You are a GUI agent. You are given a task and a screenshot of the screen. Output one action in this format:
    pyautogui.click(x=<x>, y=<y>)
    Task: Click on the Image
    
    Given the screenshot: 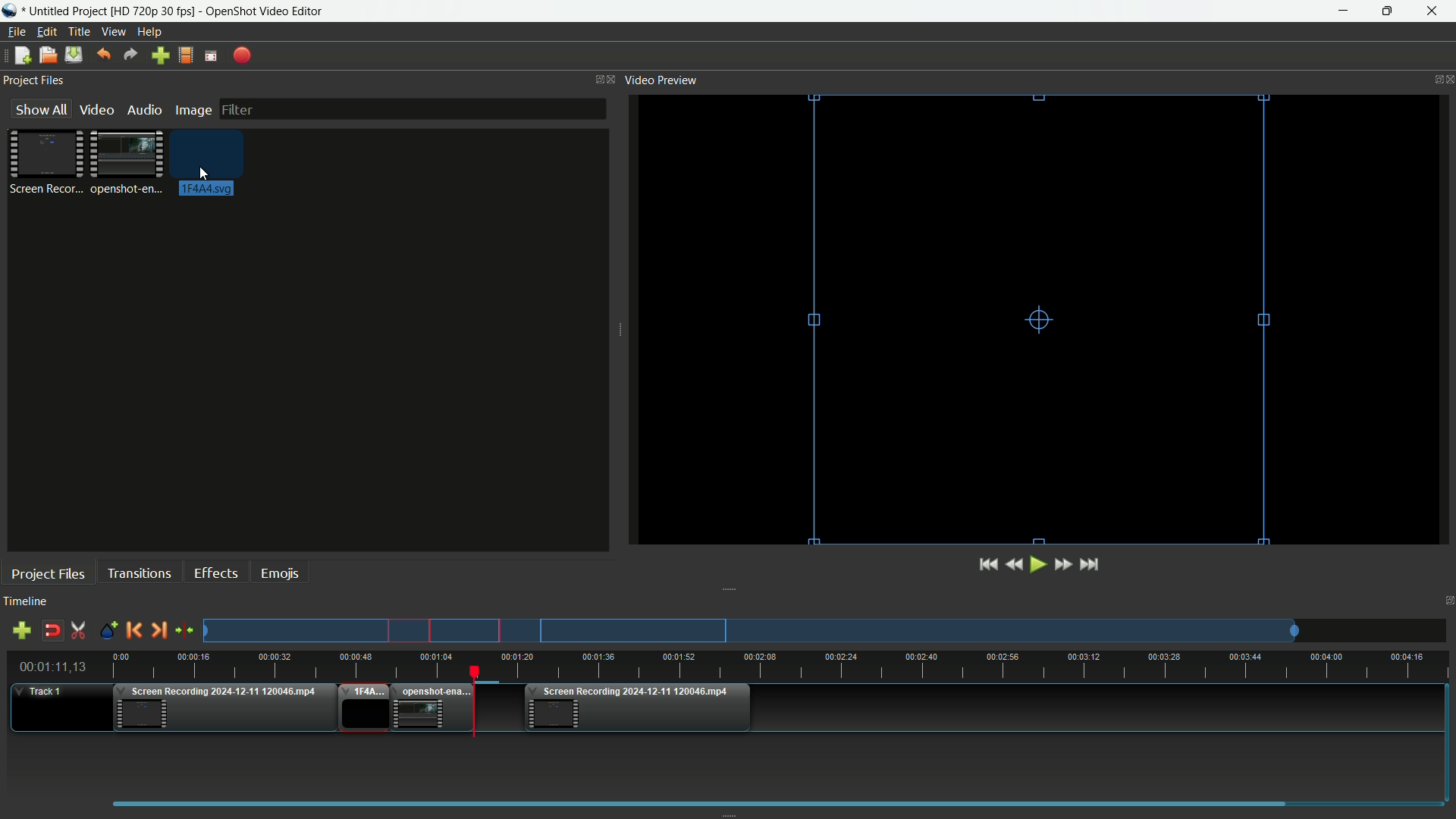 What is the action you would take?
    pyautogui.click(x=193, y=111)
    